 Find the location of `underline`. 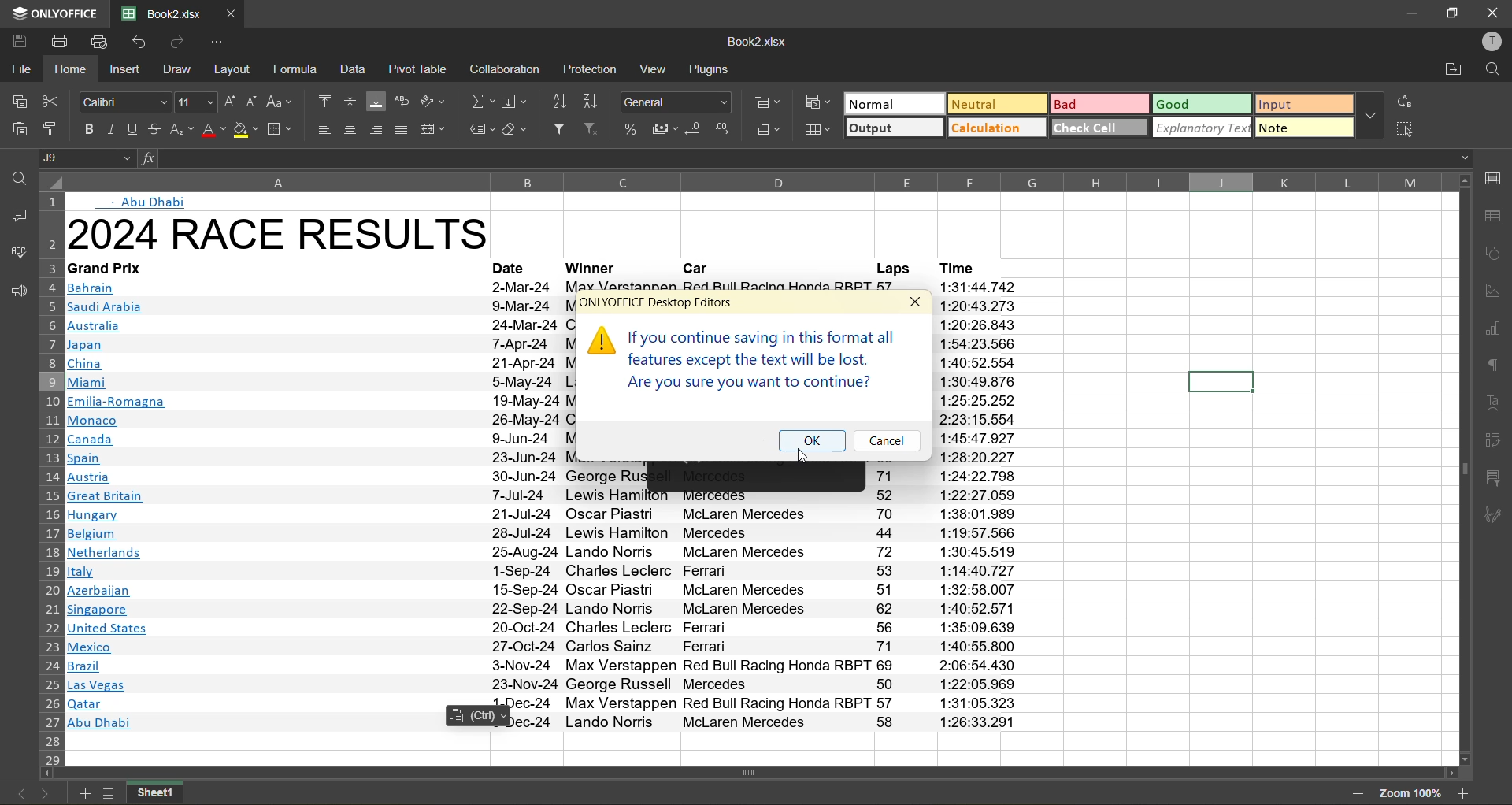

underline is located at coordinates (132, 128).